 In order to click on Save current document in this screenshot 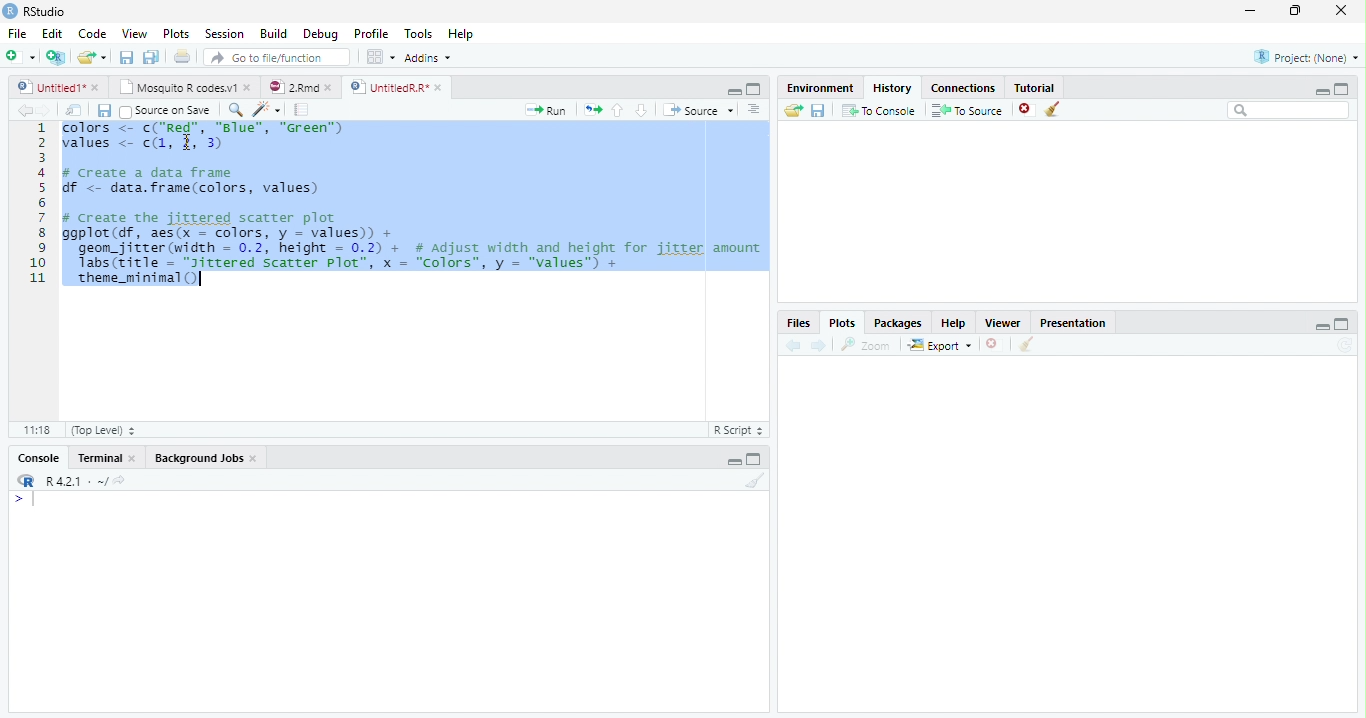, I will do `click(127, 57)`.